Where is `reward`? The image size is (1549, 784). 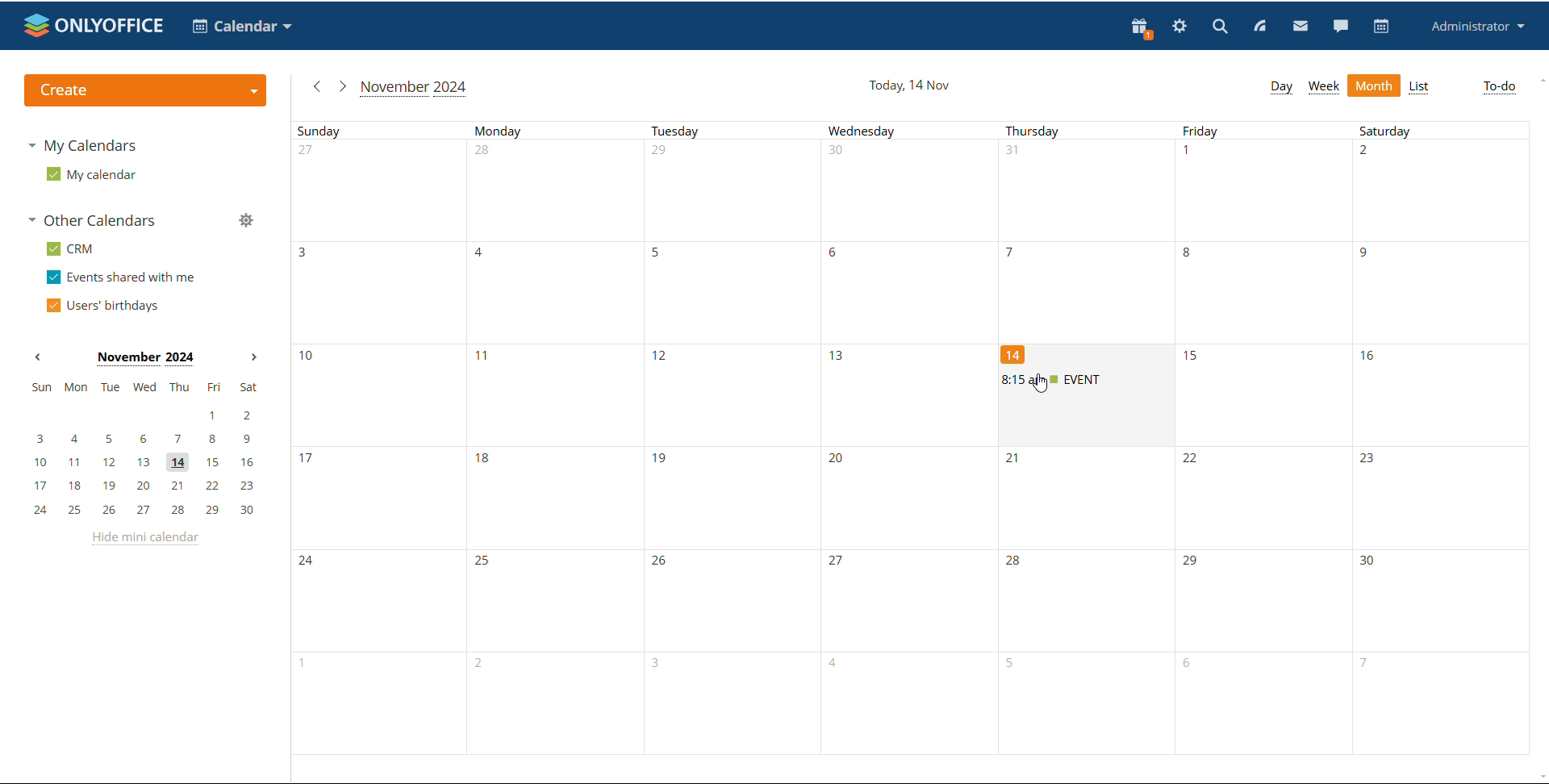 reward is located at coordinates (1142, 28).